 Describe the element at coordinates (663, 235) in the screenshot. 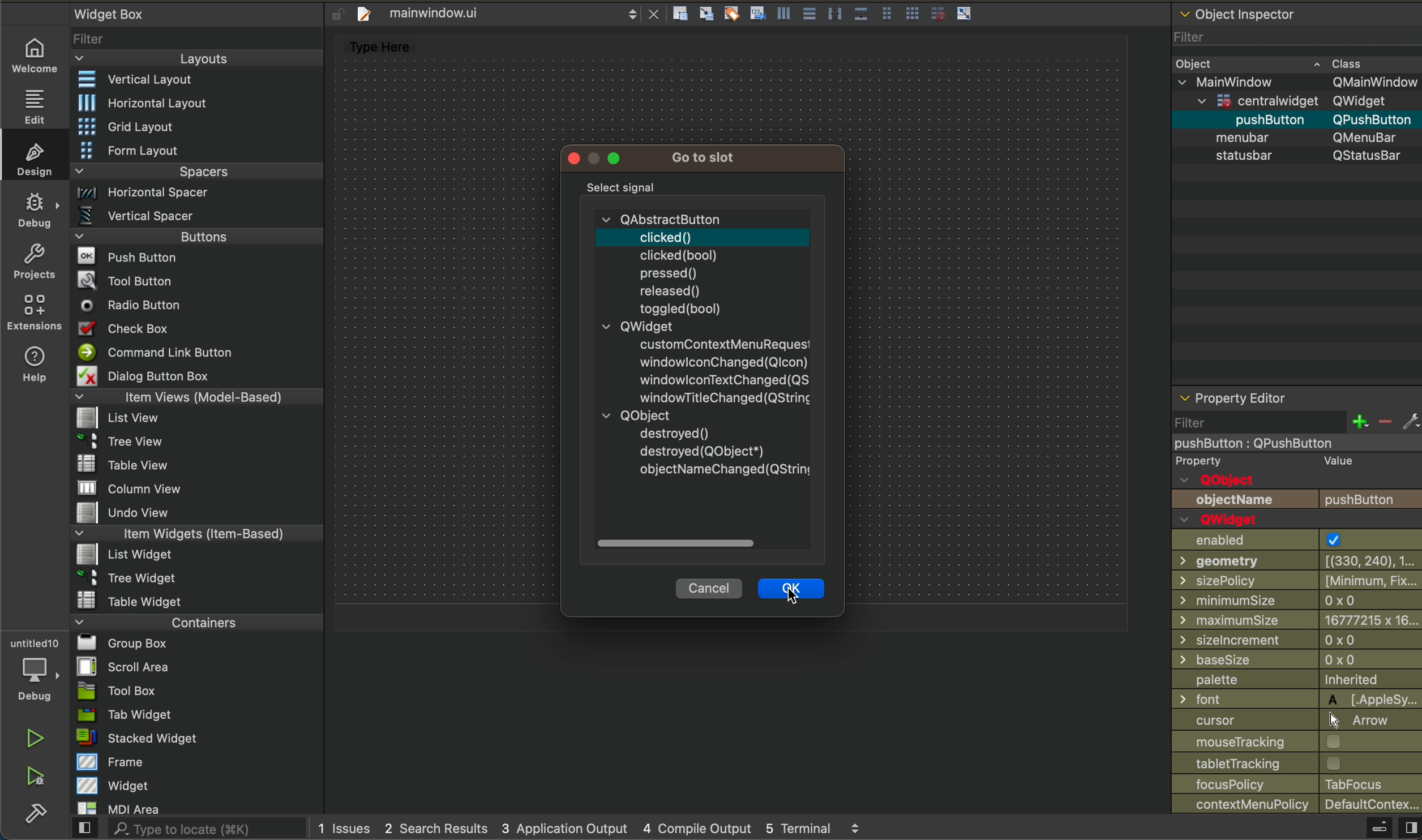

I see `clicked()` at that location.